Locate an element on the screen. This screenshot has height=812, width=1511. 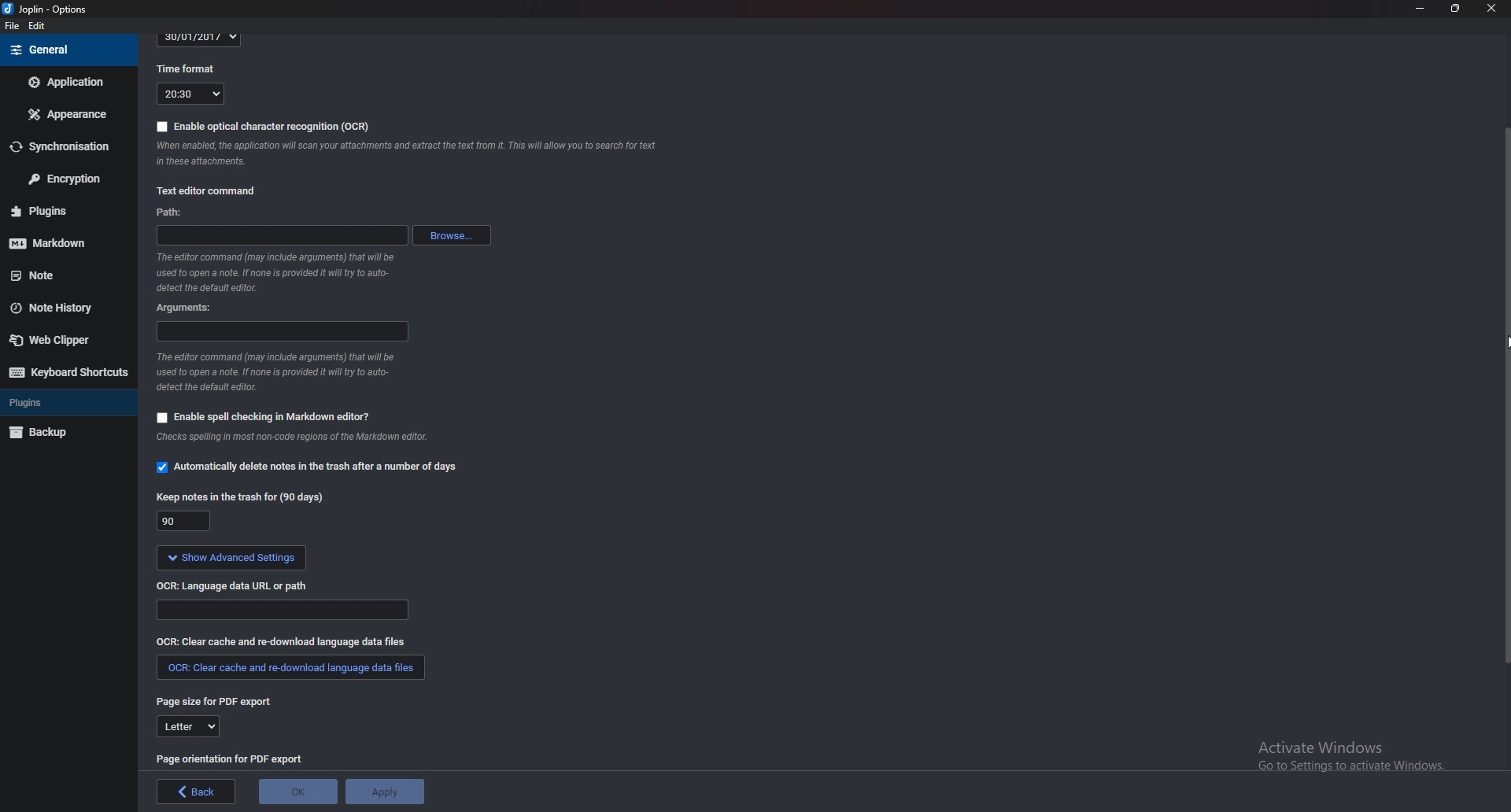
Automatically delete notes is located at coordinates (310, 465).